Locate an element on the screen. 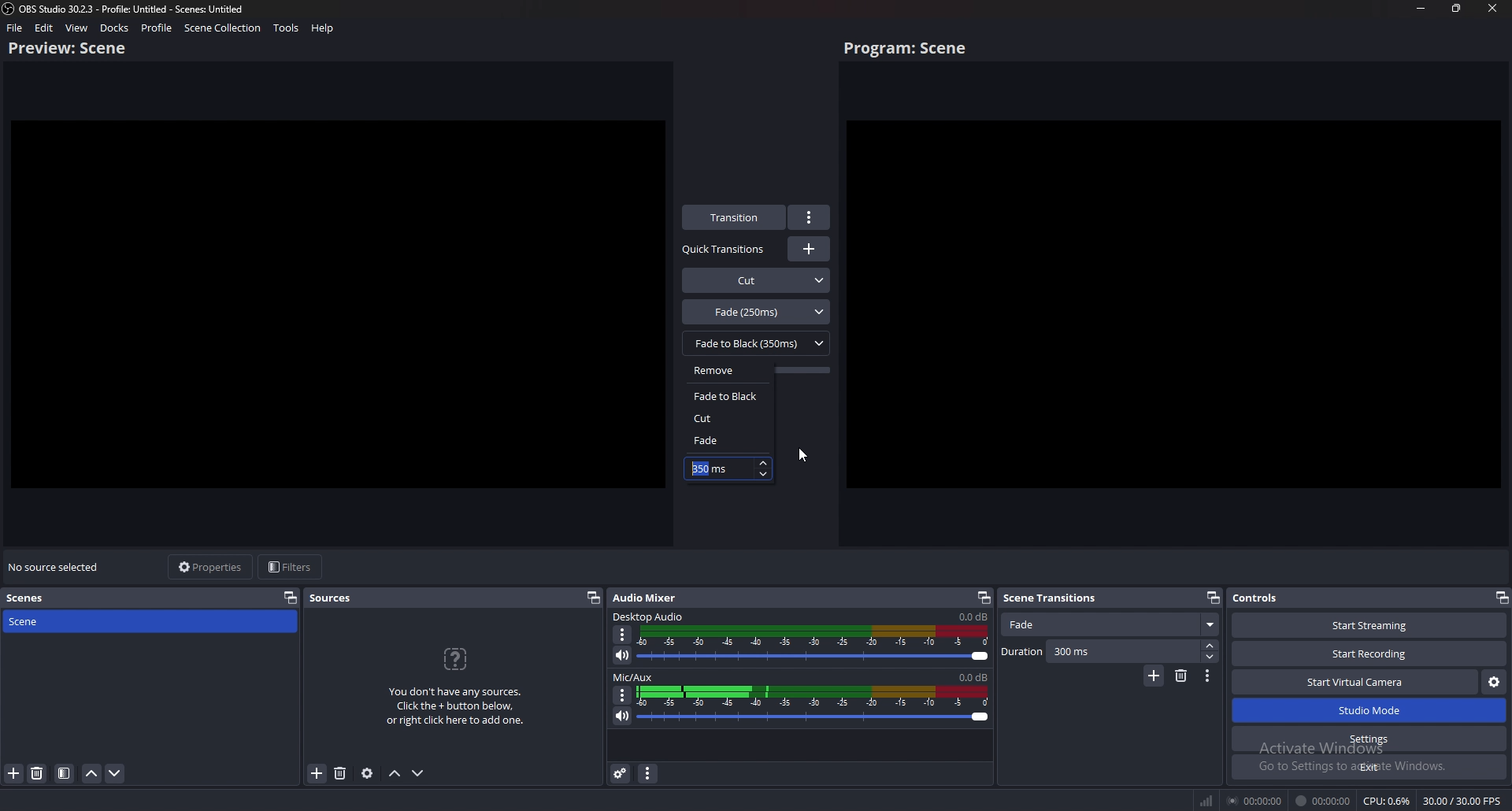 Image resolution: width=1512 pixels, height=811 pixels. scene collection is located at coordinates (222, 28).